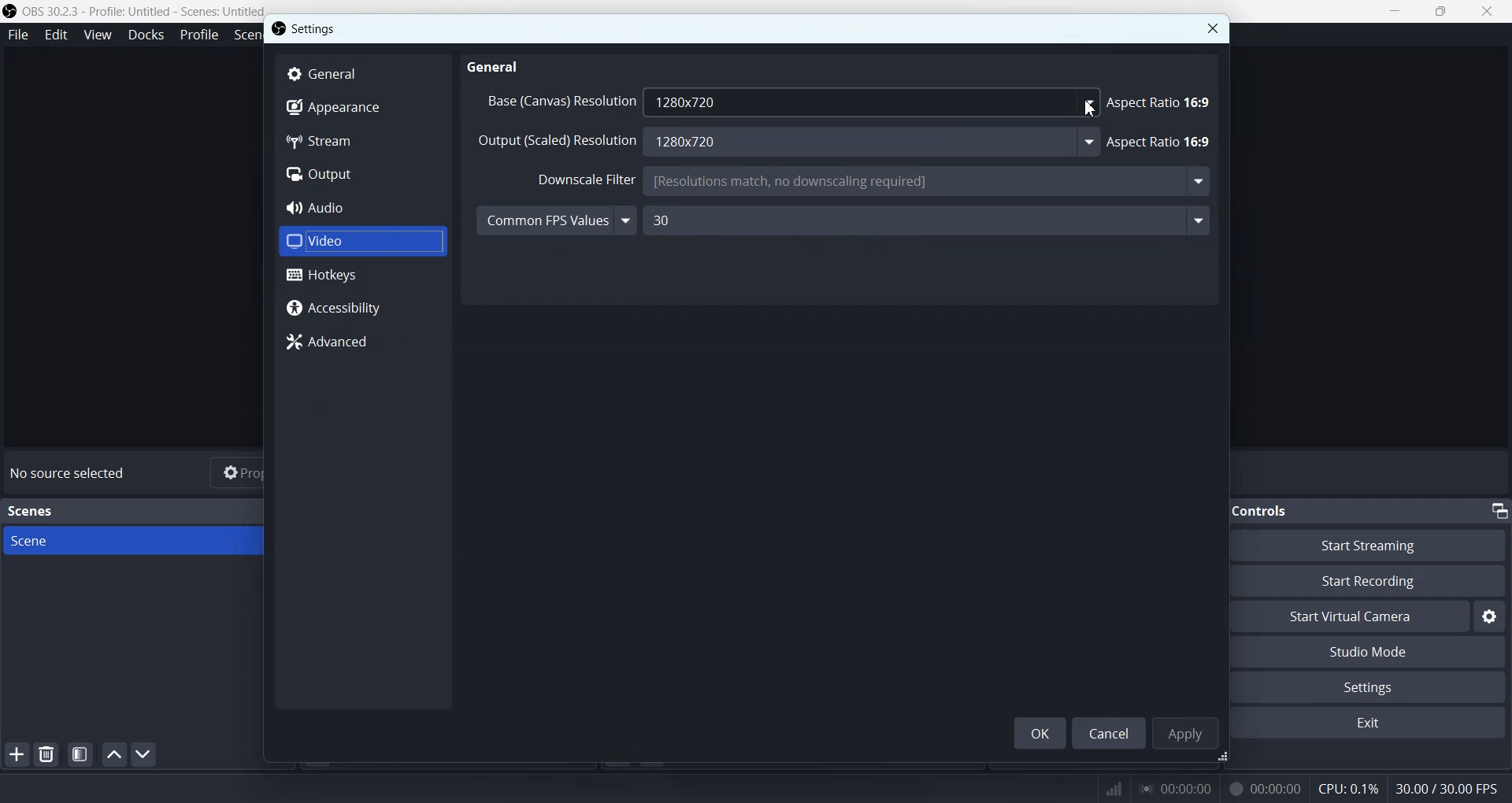 This screenshot has height=803, width=1512. What do you see at coordinates (1039, 733) in the screenshot?
I see `OK` at bounding box center [1039, 733].